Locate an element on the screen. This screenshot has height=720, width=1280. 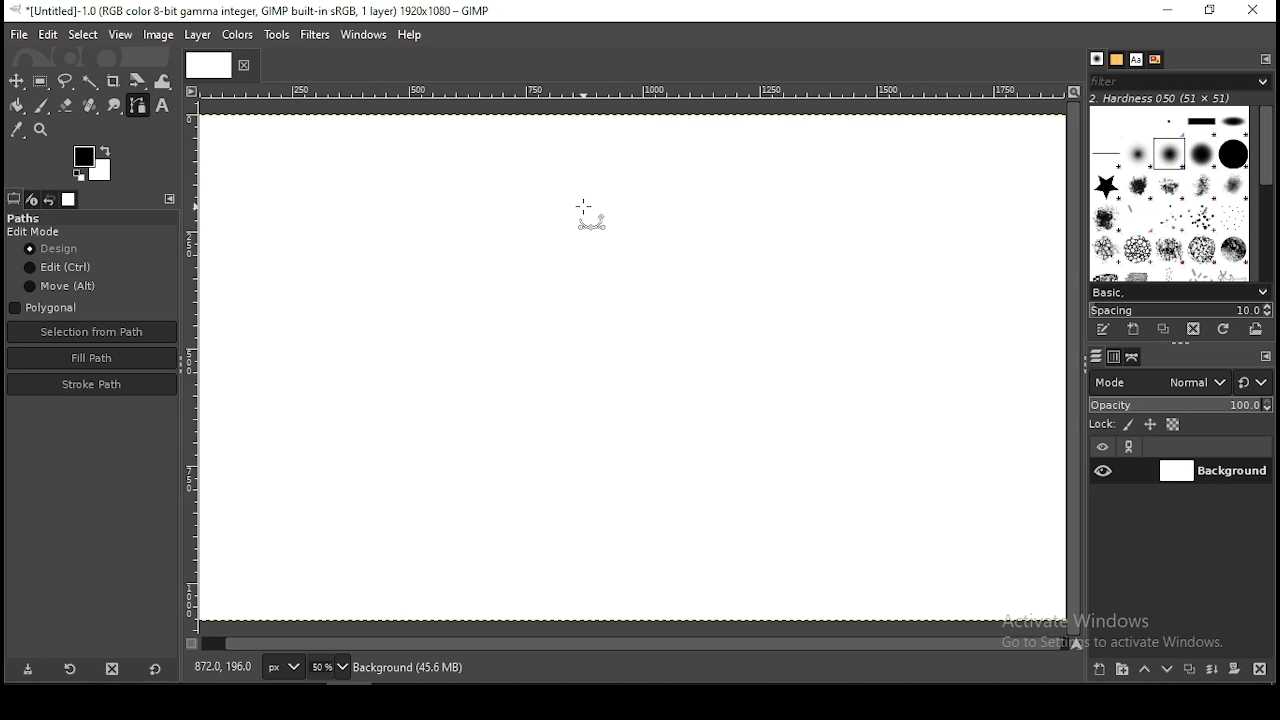
windows is located at coordinates (363, 33).